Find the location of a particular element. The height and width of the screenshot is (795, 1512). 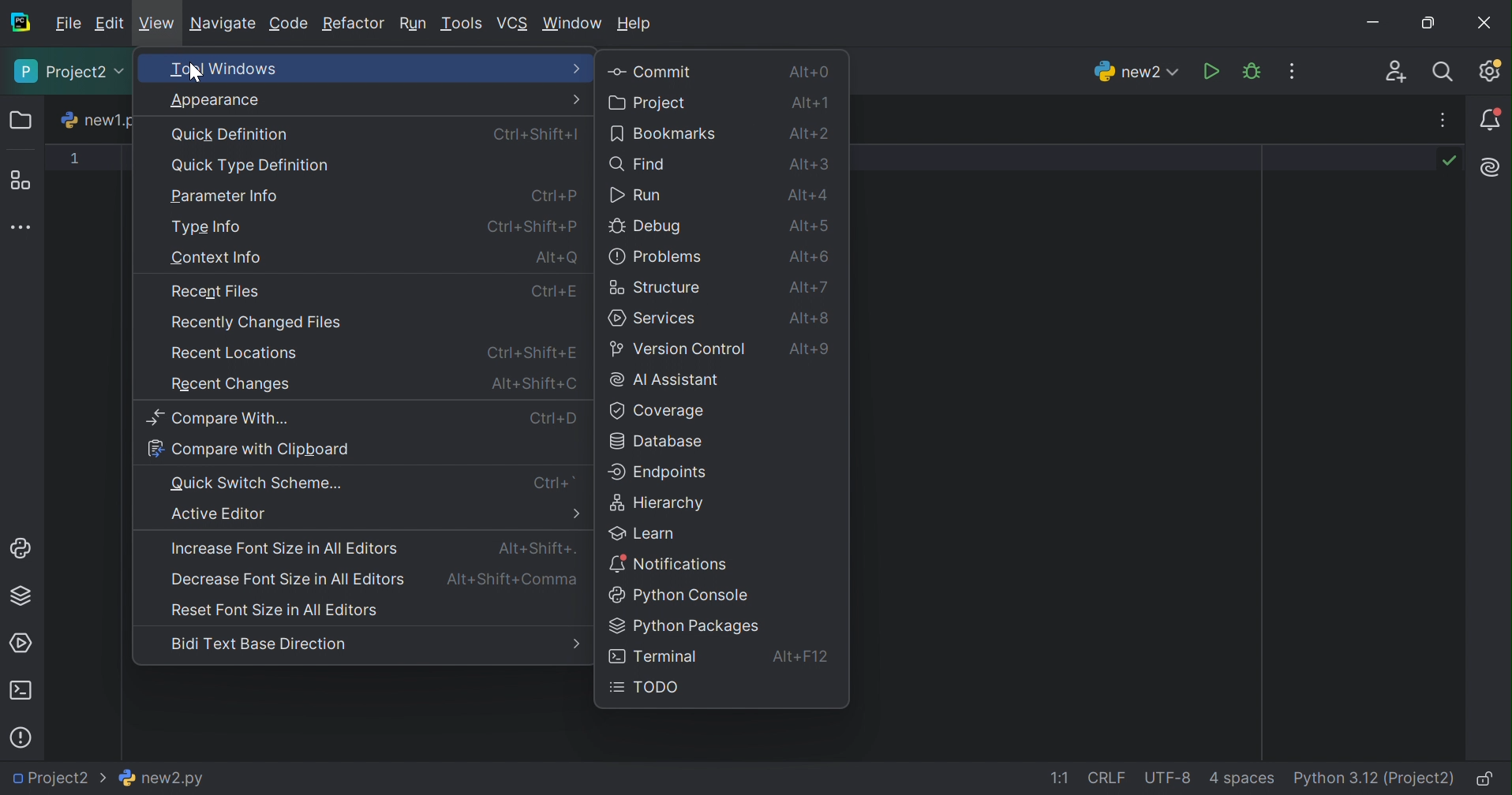

AI Assistant is located at coordinates (665, 380).